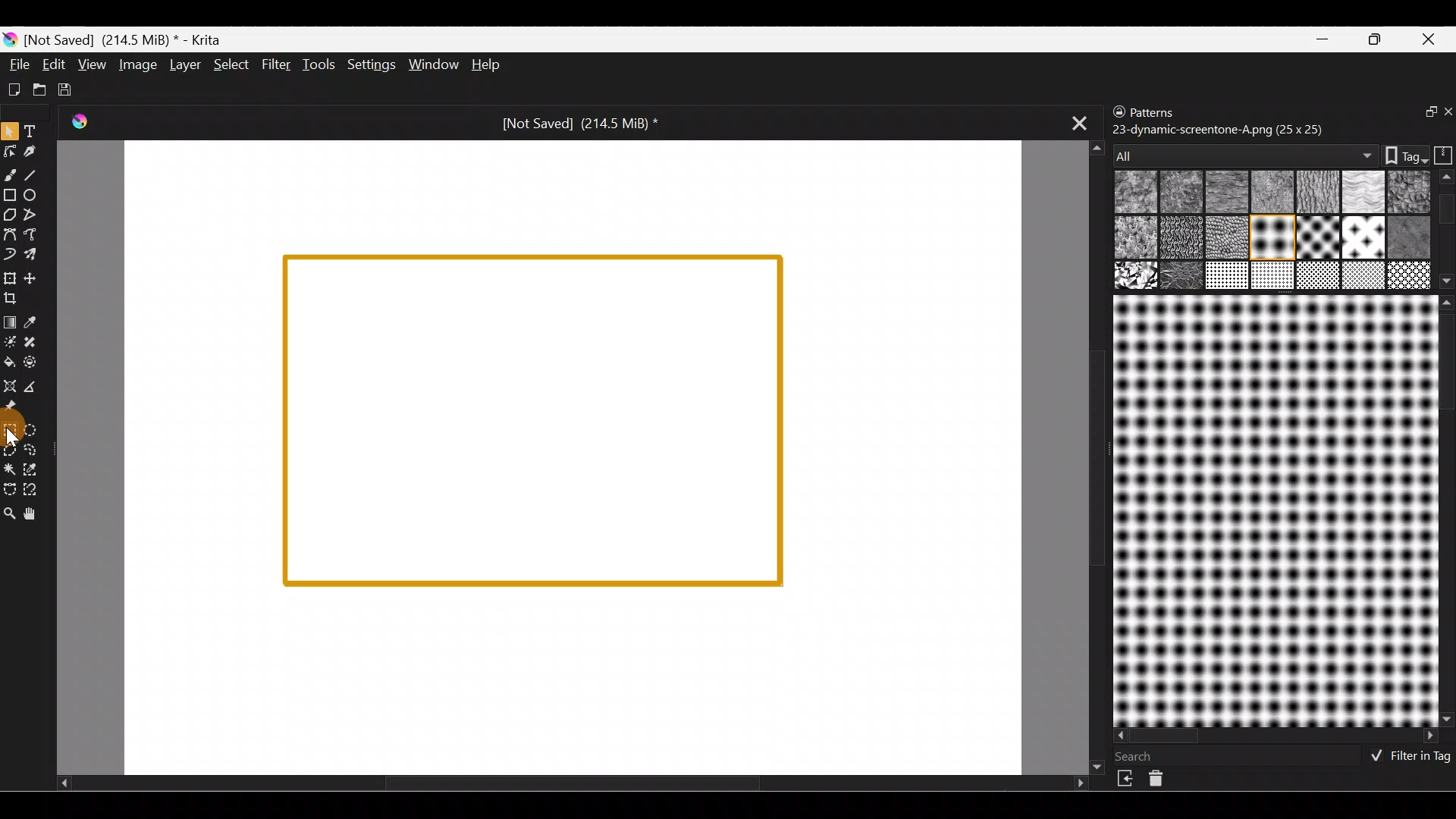  Describe the element at coordinates (1134, 193) in the screenshot. I see `01 canvas.png` at that location.